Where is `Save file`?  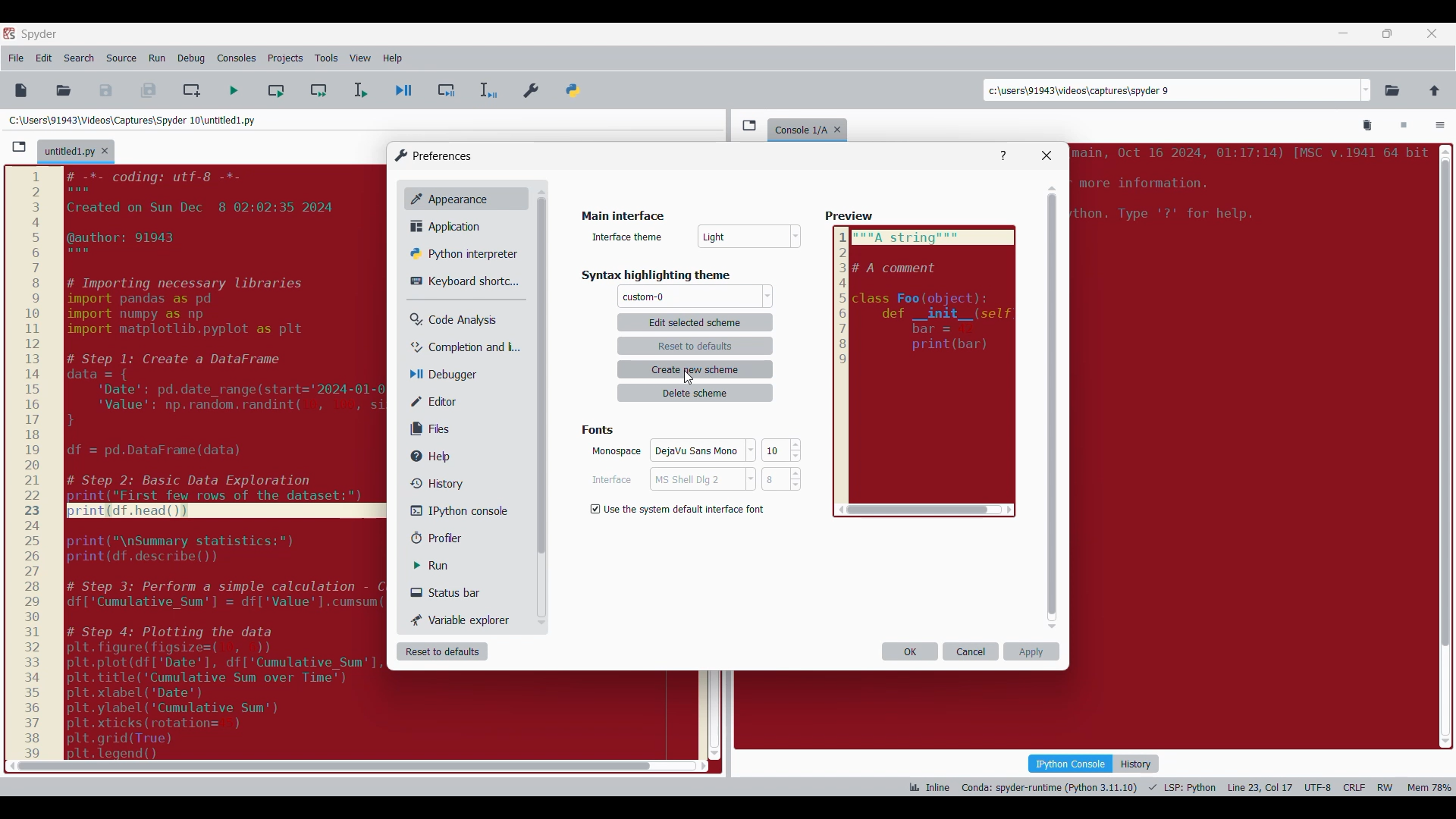 Save file is located at coordinates (107, 90).